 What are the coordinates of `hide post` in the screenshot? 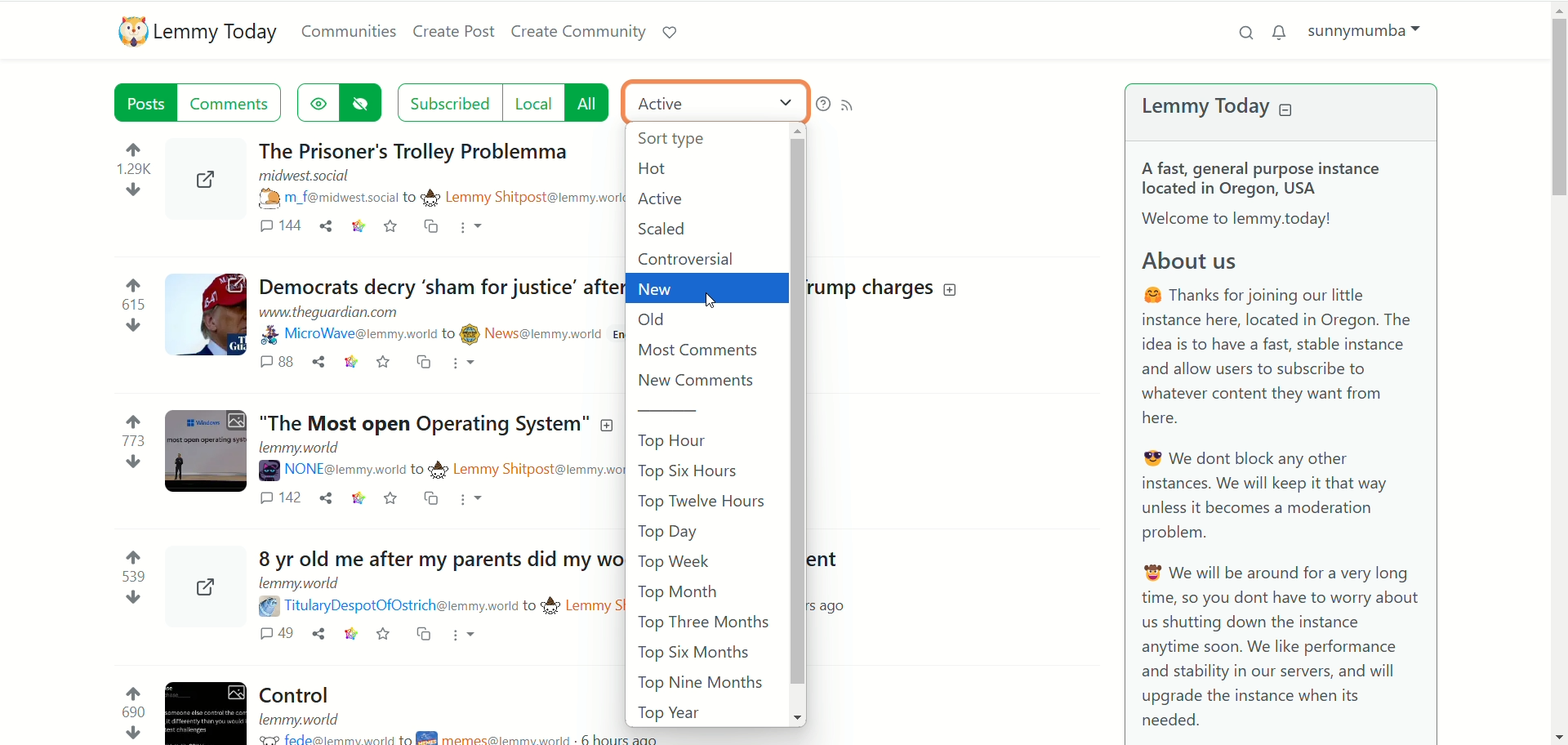 It's located at (364, 102).